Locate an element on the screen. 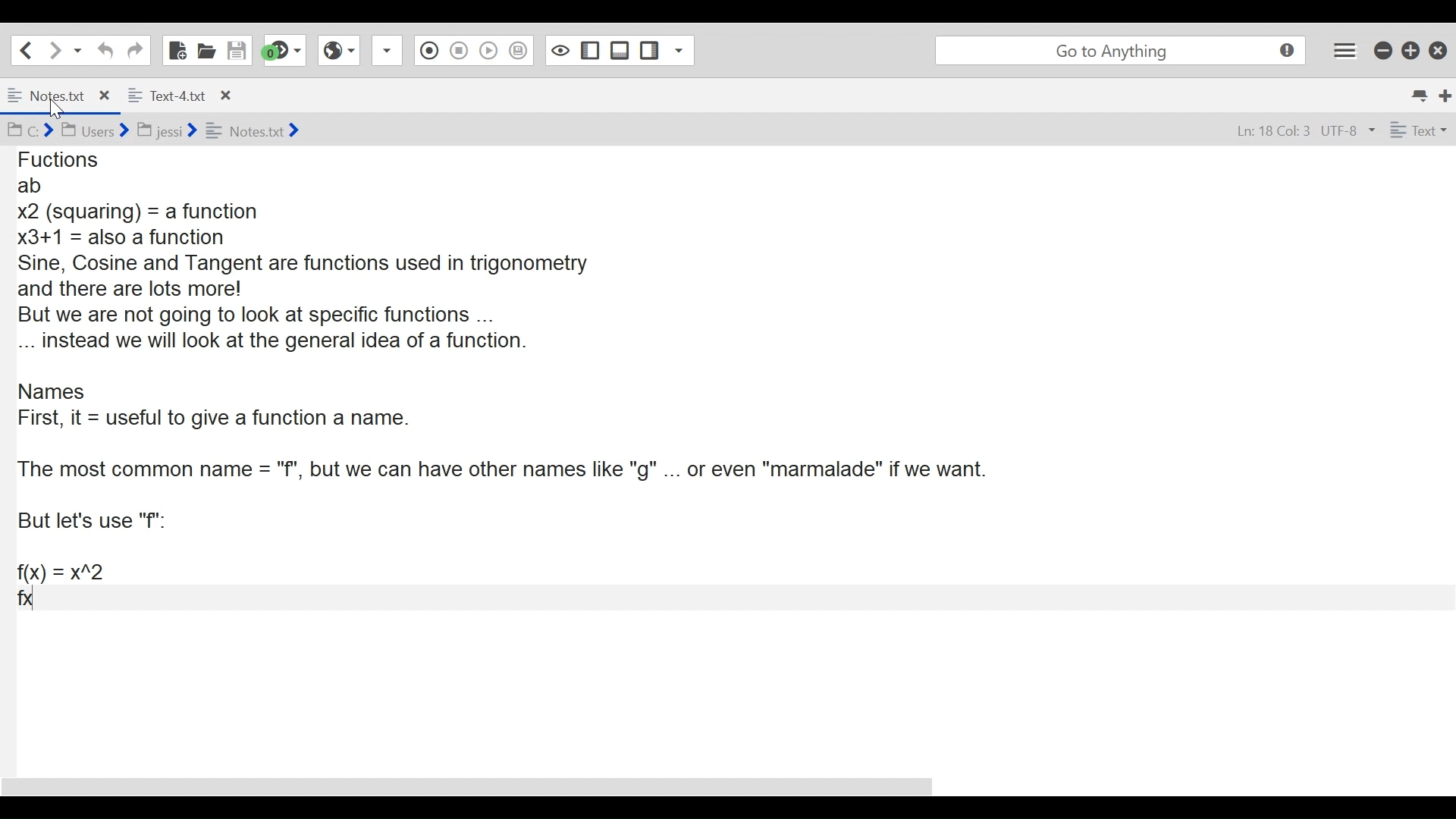  Show/hide Bottom Sidebar is located at coordinates (620, 50).